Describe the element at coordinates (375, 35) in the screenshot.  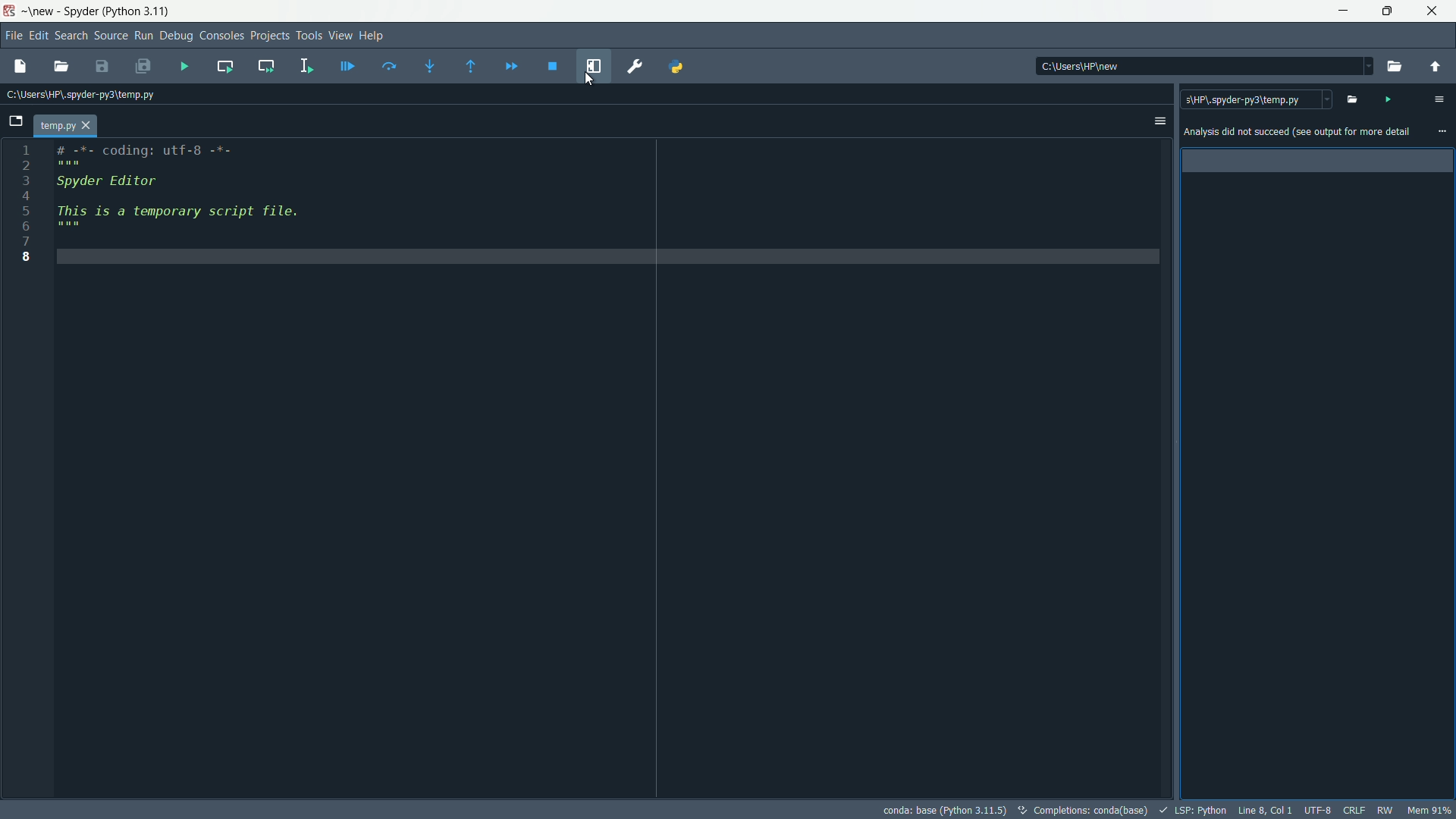
I see `help menu` at that location.